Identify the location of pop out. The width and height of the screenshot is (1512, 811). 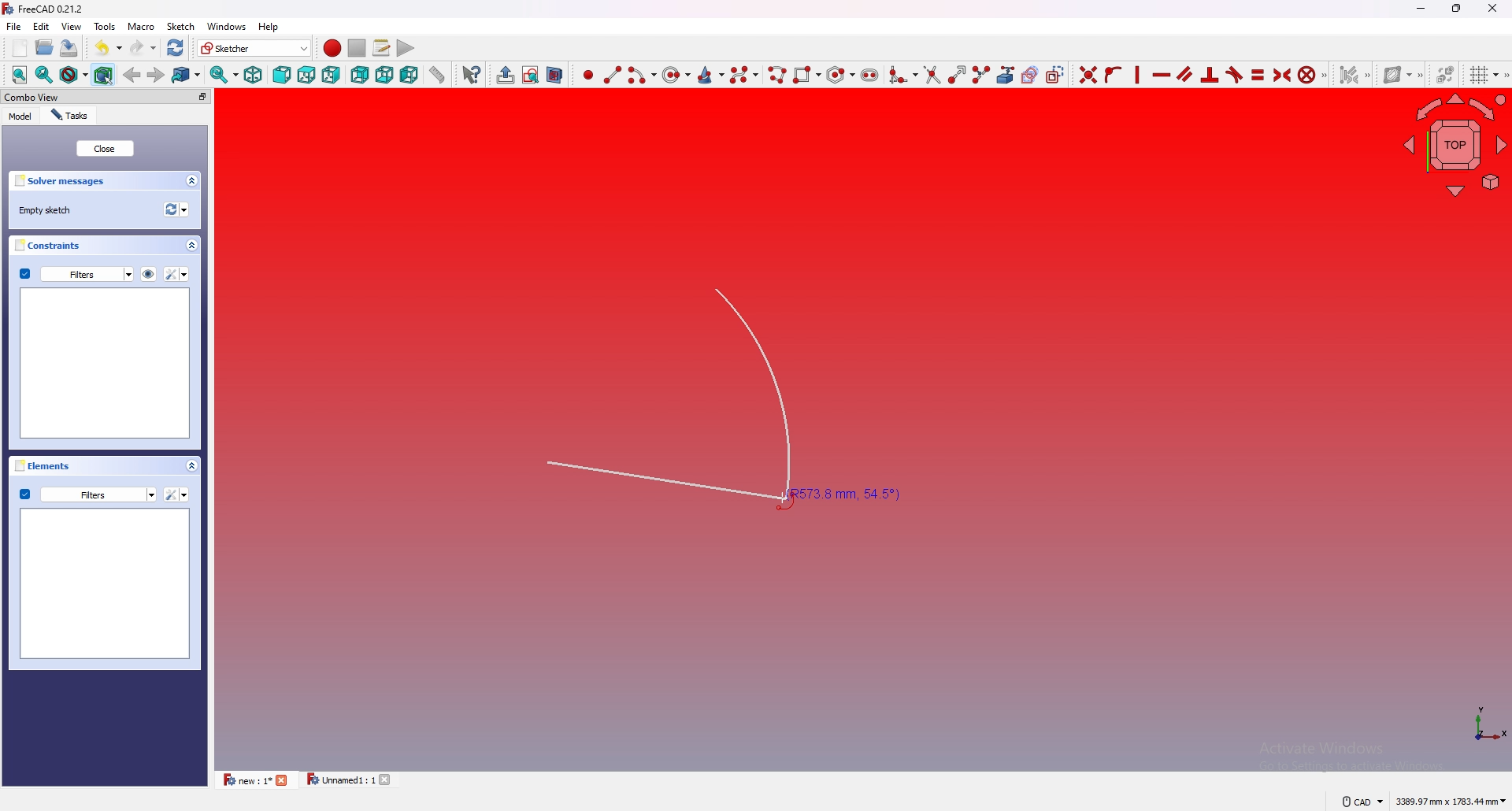
(202, 97).